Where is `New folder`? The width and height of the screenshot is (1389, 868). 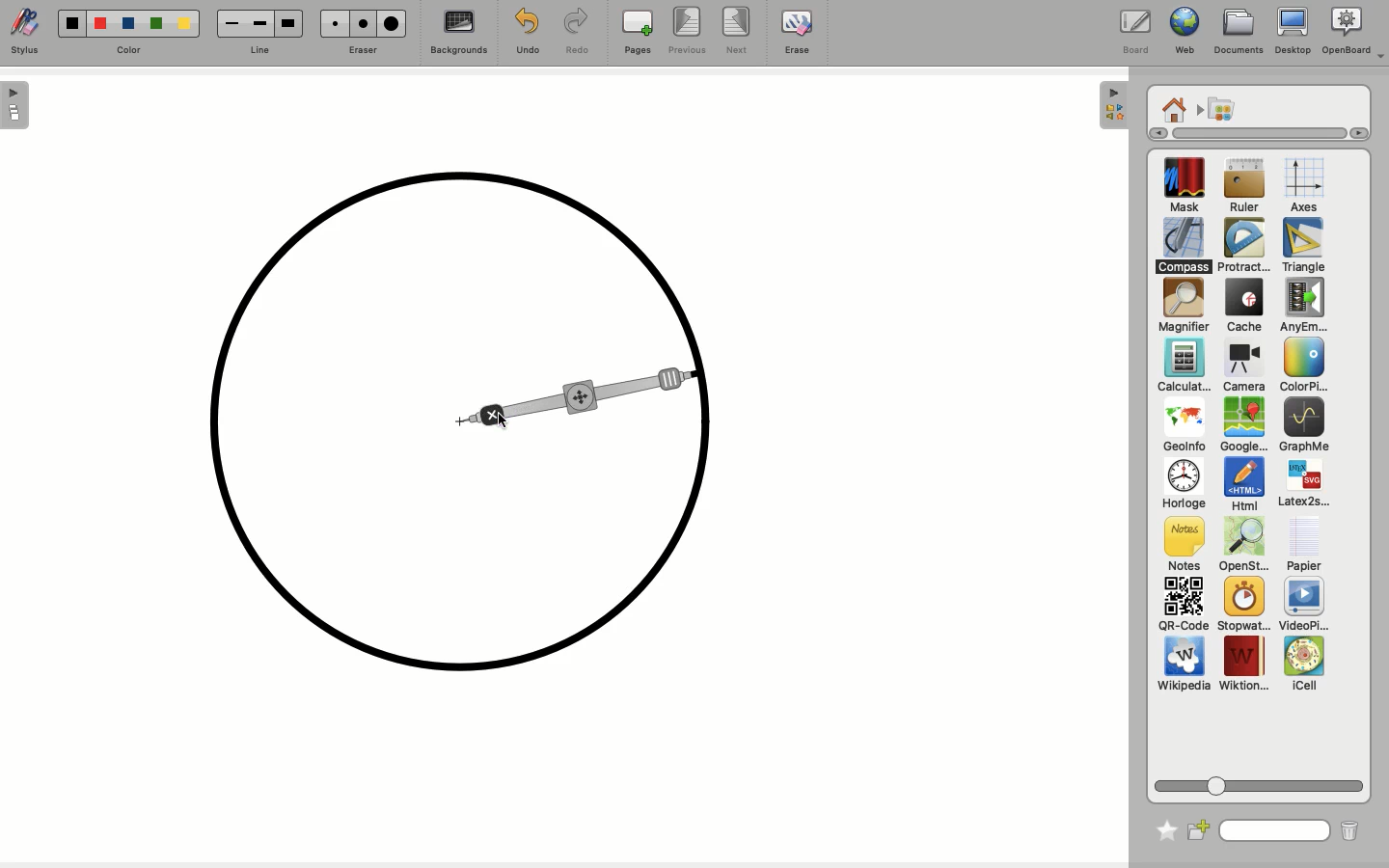 New folder is located at coordinates (1200, 828).